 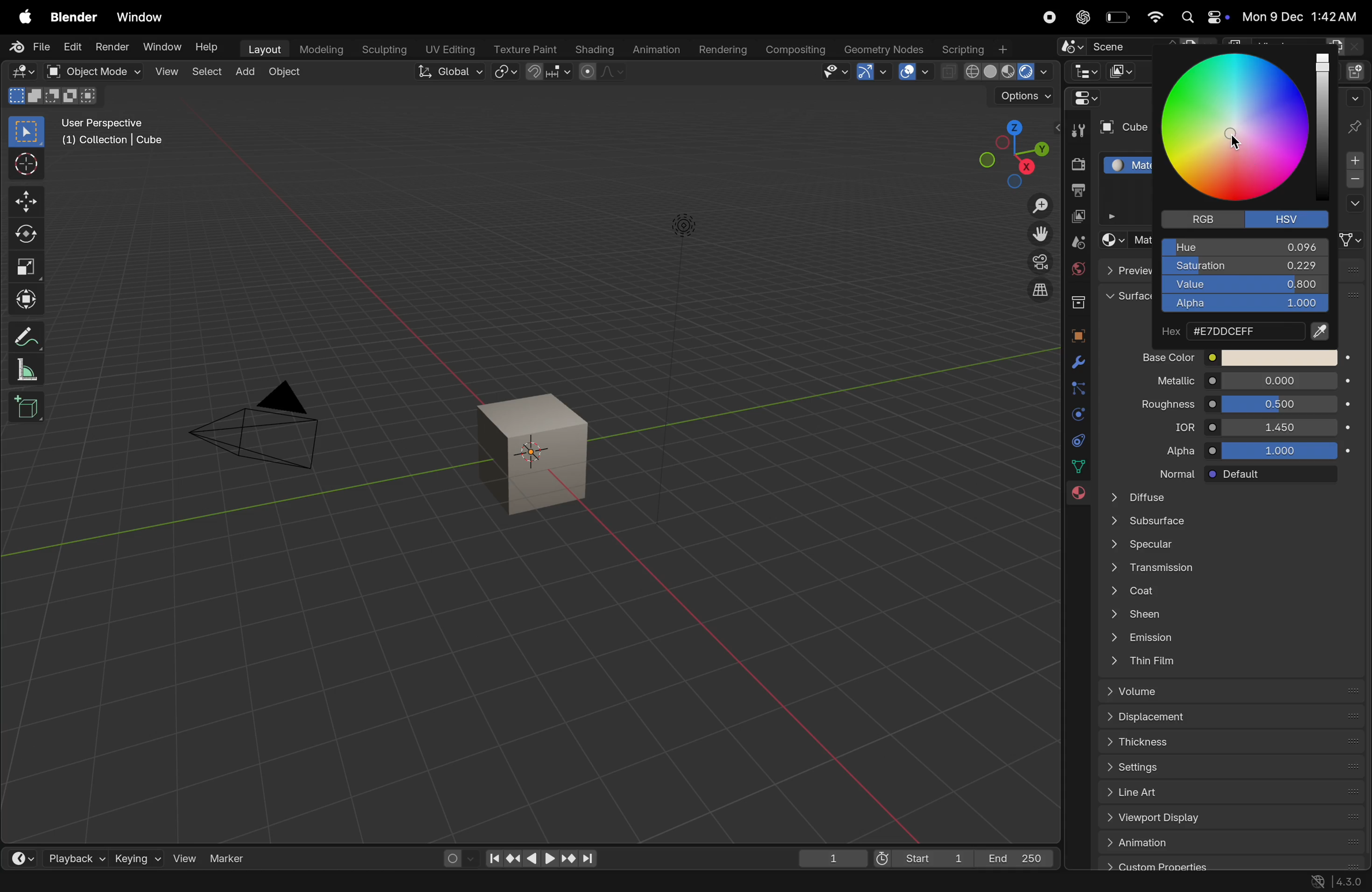 I want to click on show overlays, so click(x=916, y=72).